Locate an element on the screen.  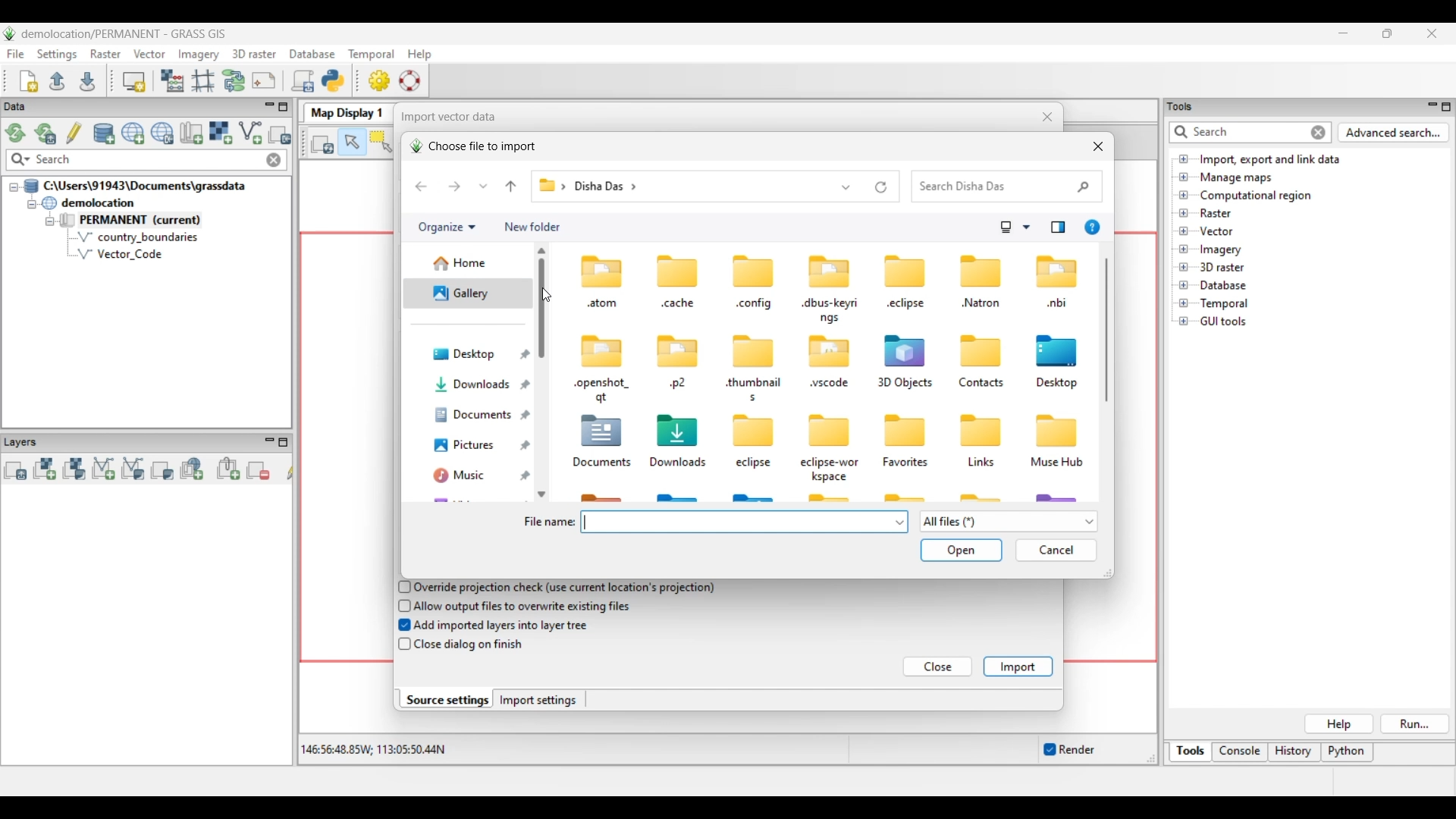
File name: is located at coordinates (548, 522).